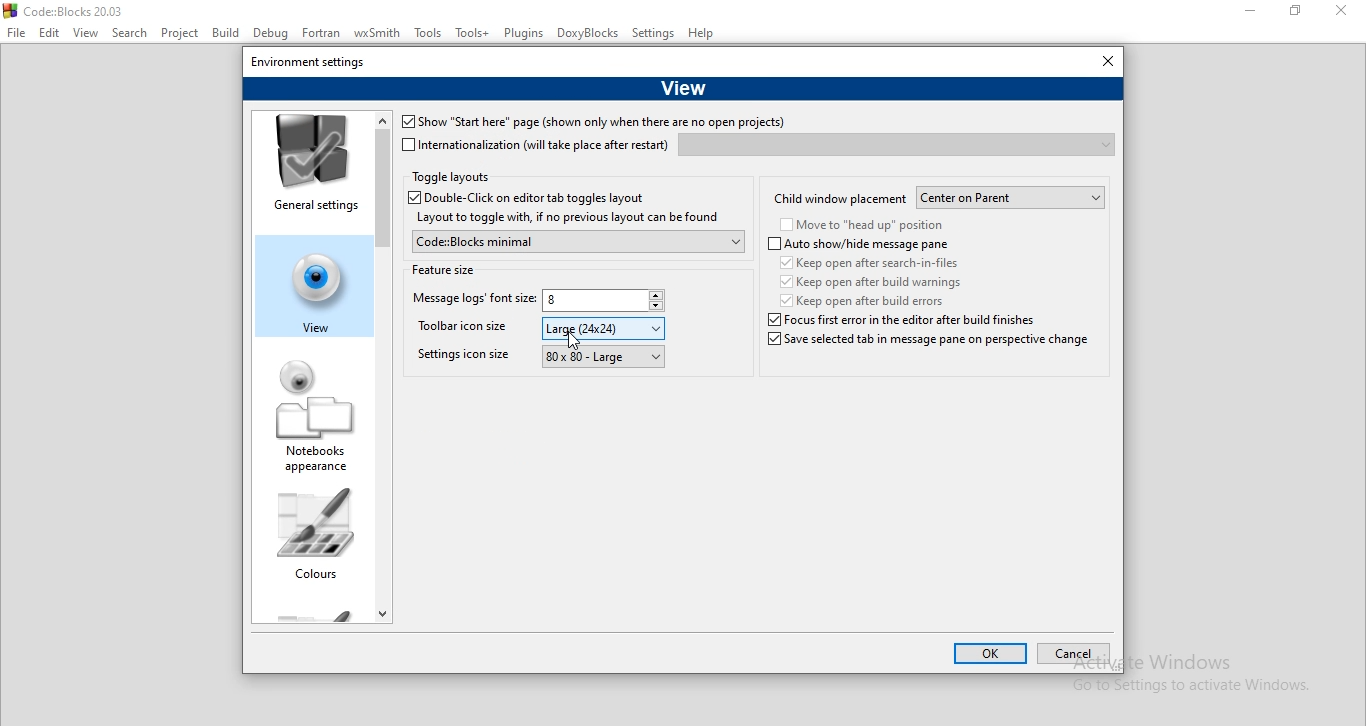  I want to click on wxSmith, so click(380, 34).